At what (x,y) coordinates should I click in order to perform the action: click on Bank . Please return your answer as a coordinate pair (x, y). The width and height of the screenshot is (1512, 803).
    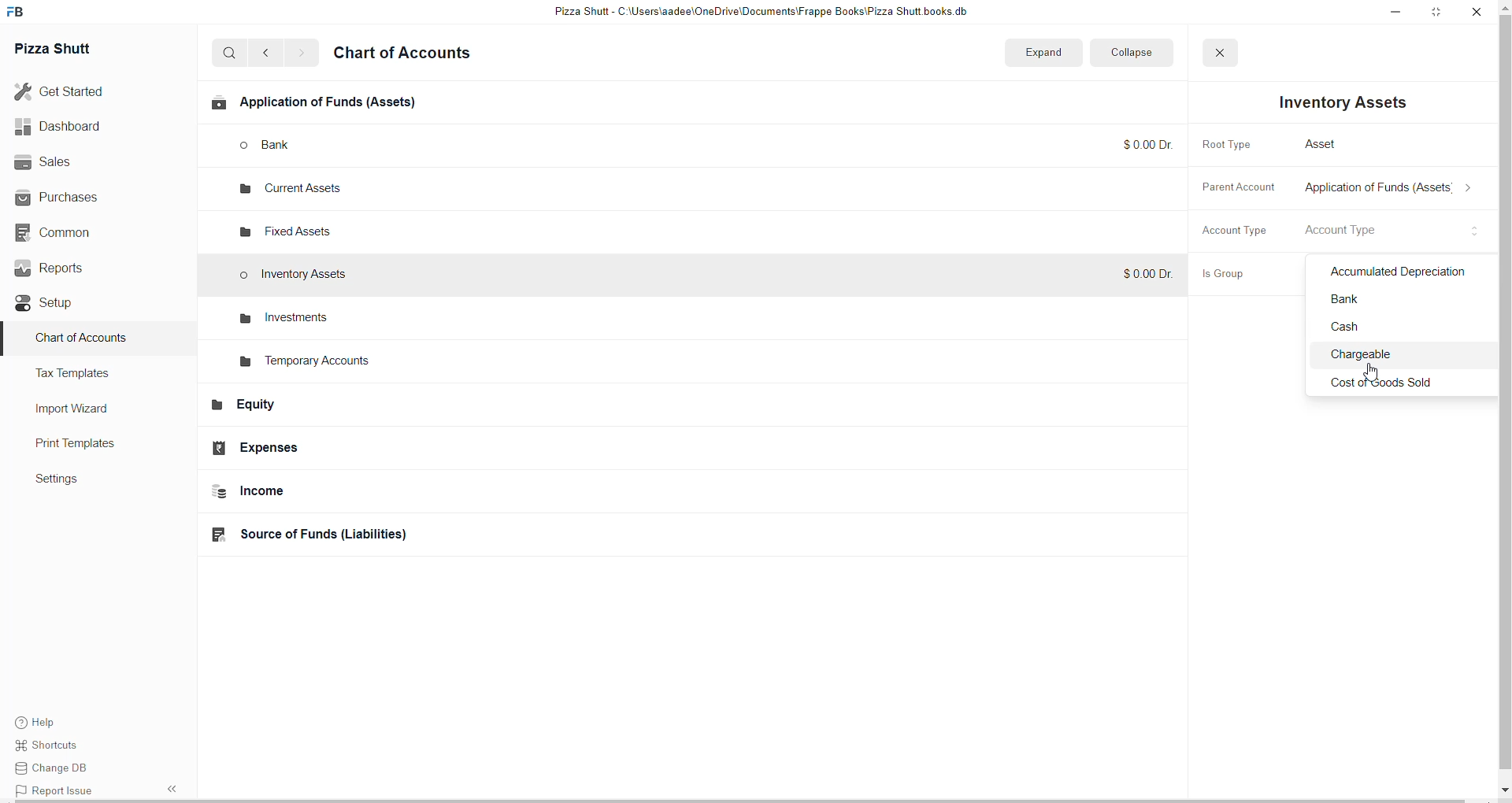
    Looking at the image, I should click on (1402, 302).